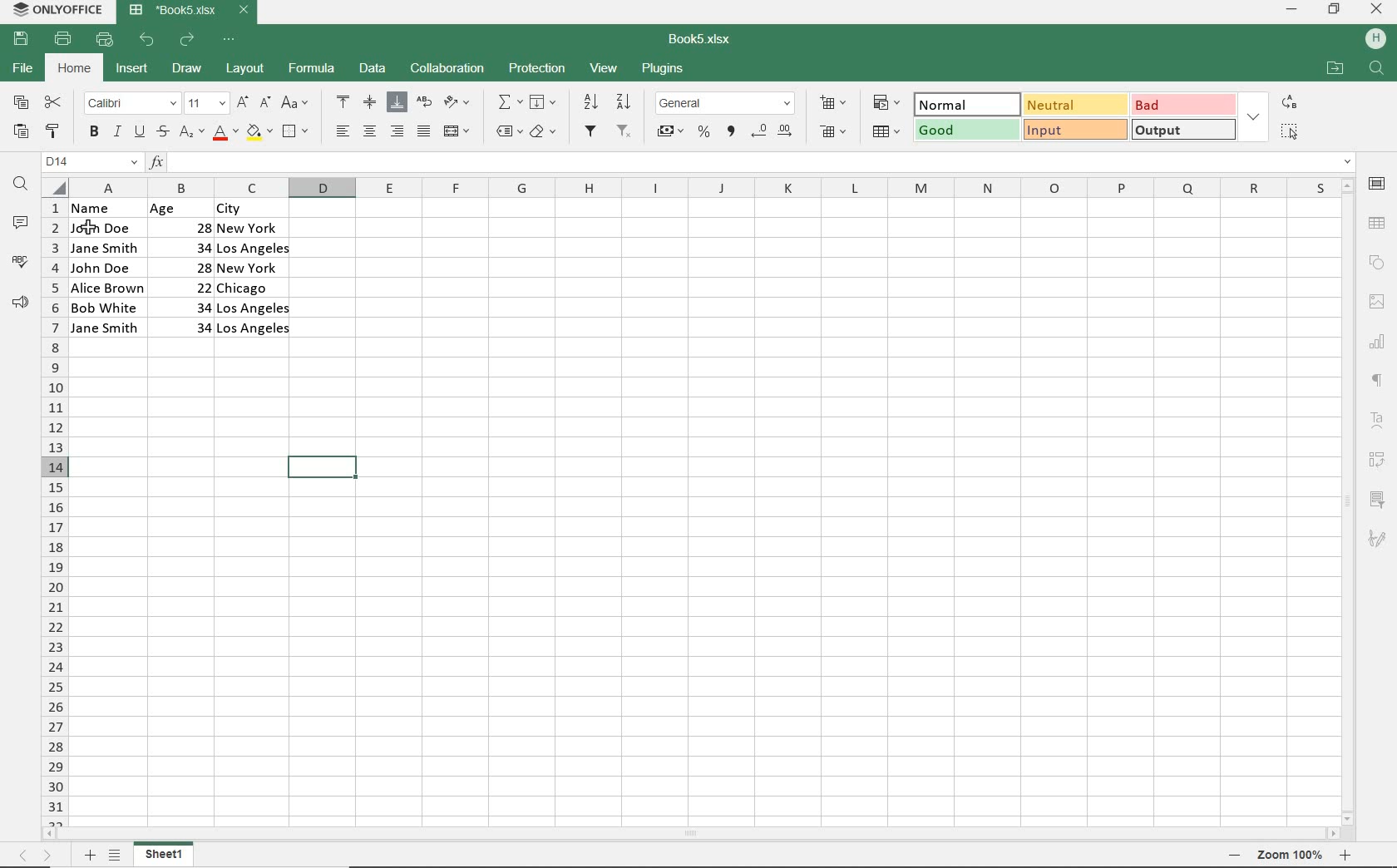 This screenshot has width=1397, height=868. Describe the element at coordinates (165, 855) in the screenshot. I see `SHEET 1` at that location.